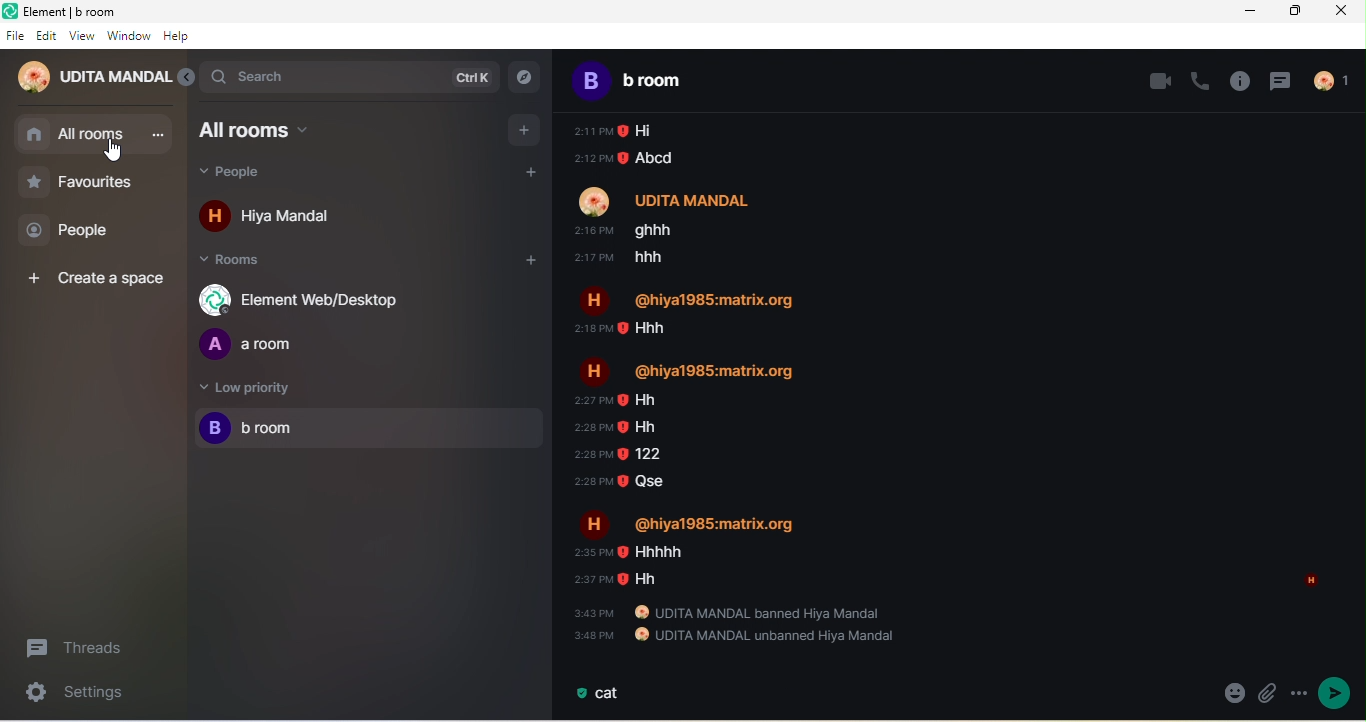 This screenshot has height=722, width=1366. I want to click on favourites, so click(91, 183).